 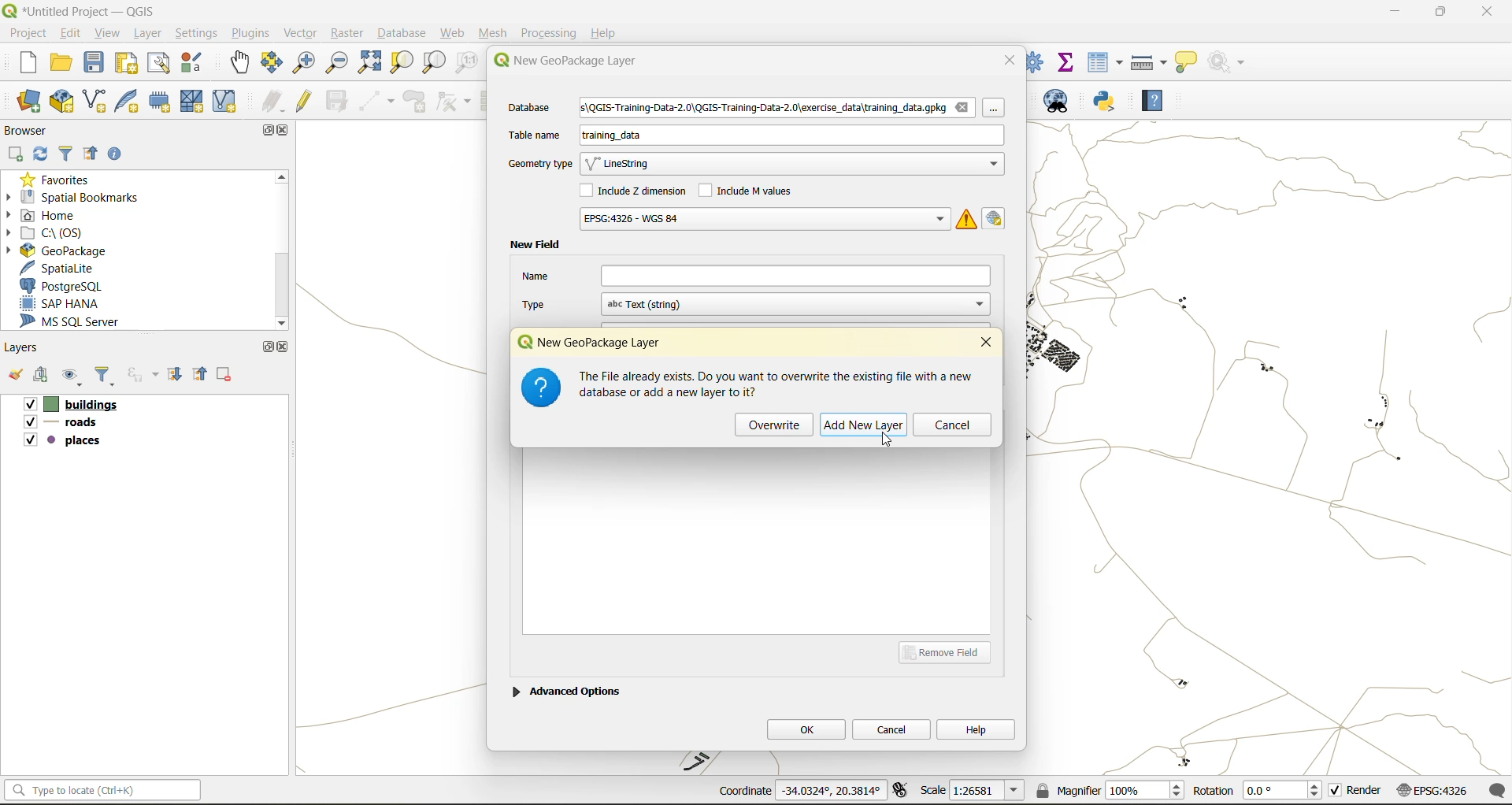 What do you see at coordinates (55, 249) in the screenshot?
I see `geopackage` at bounding box center [55, 249].